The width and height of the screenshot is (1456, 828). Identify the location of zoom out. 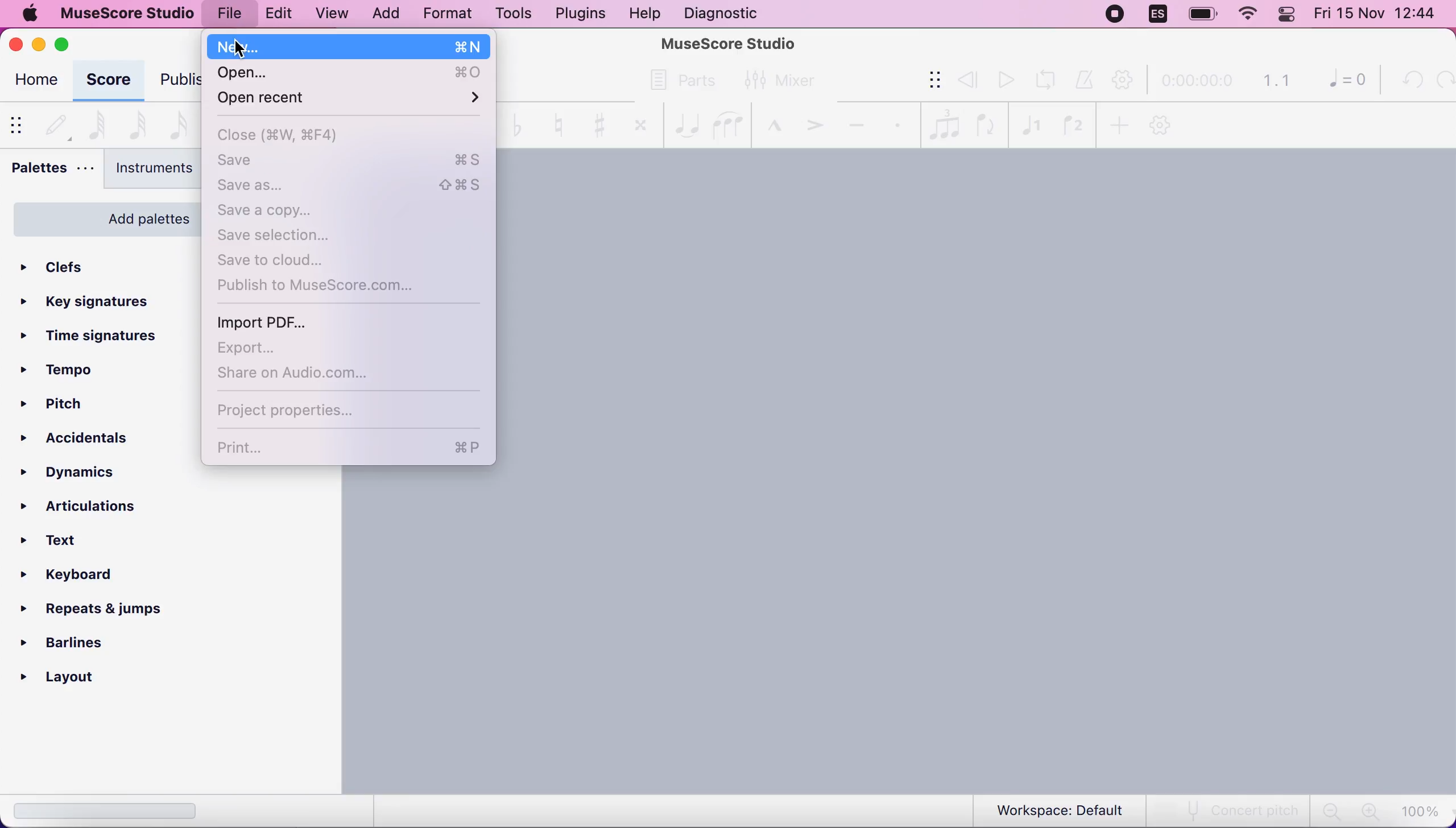
(1330, 812).